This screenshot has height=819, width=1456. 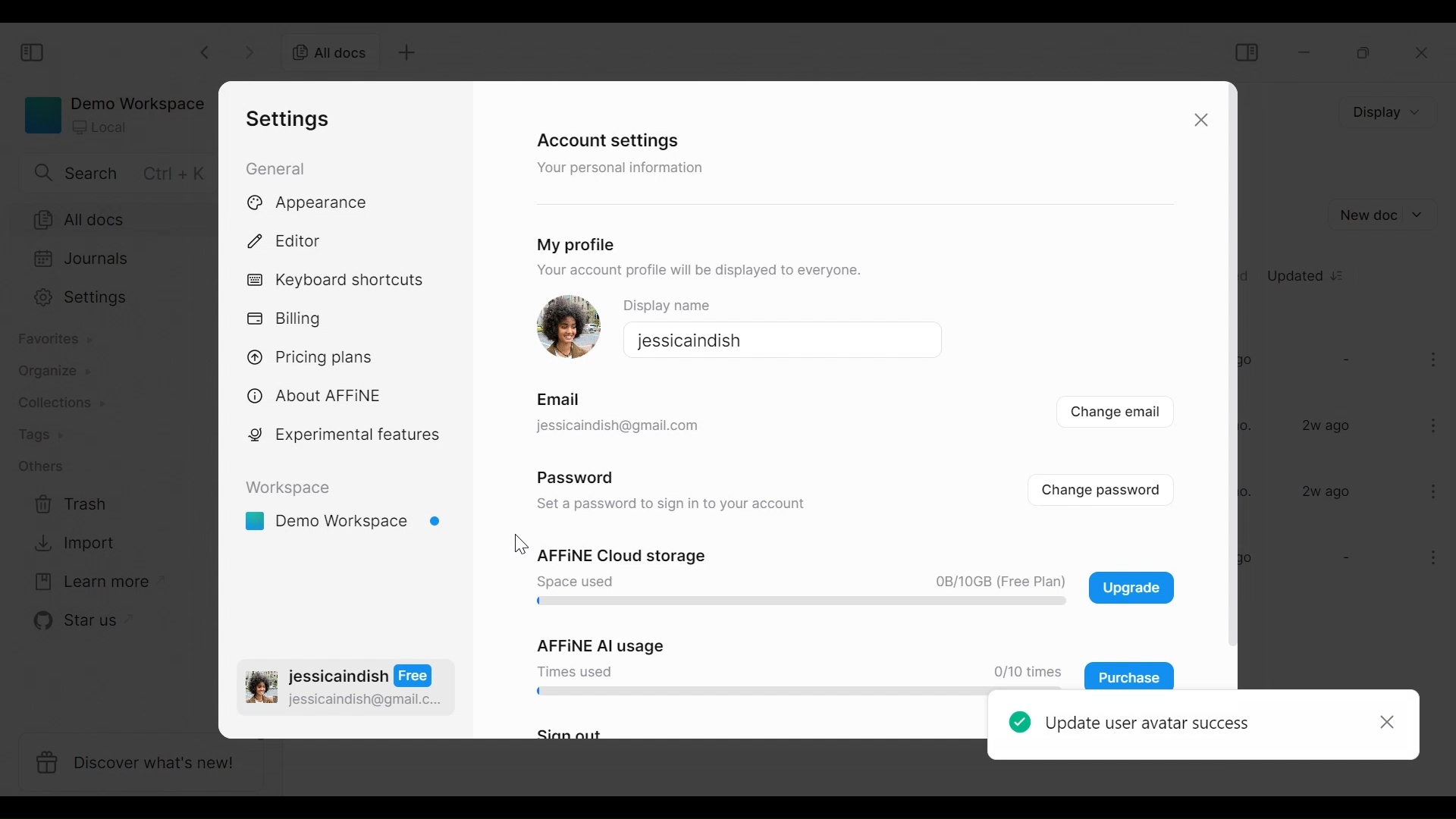 I want to click on Show/Hide Sidebar, so click(x=1245, y=52).